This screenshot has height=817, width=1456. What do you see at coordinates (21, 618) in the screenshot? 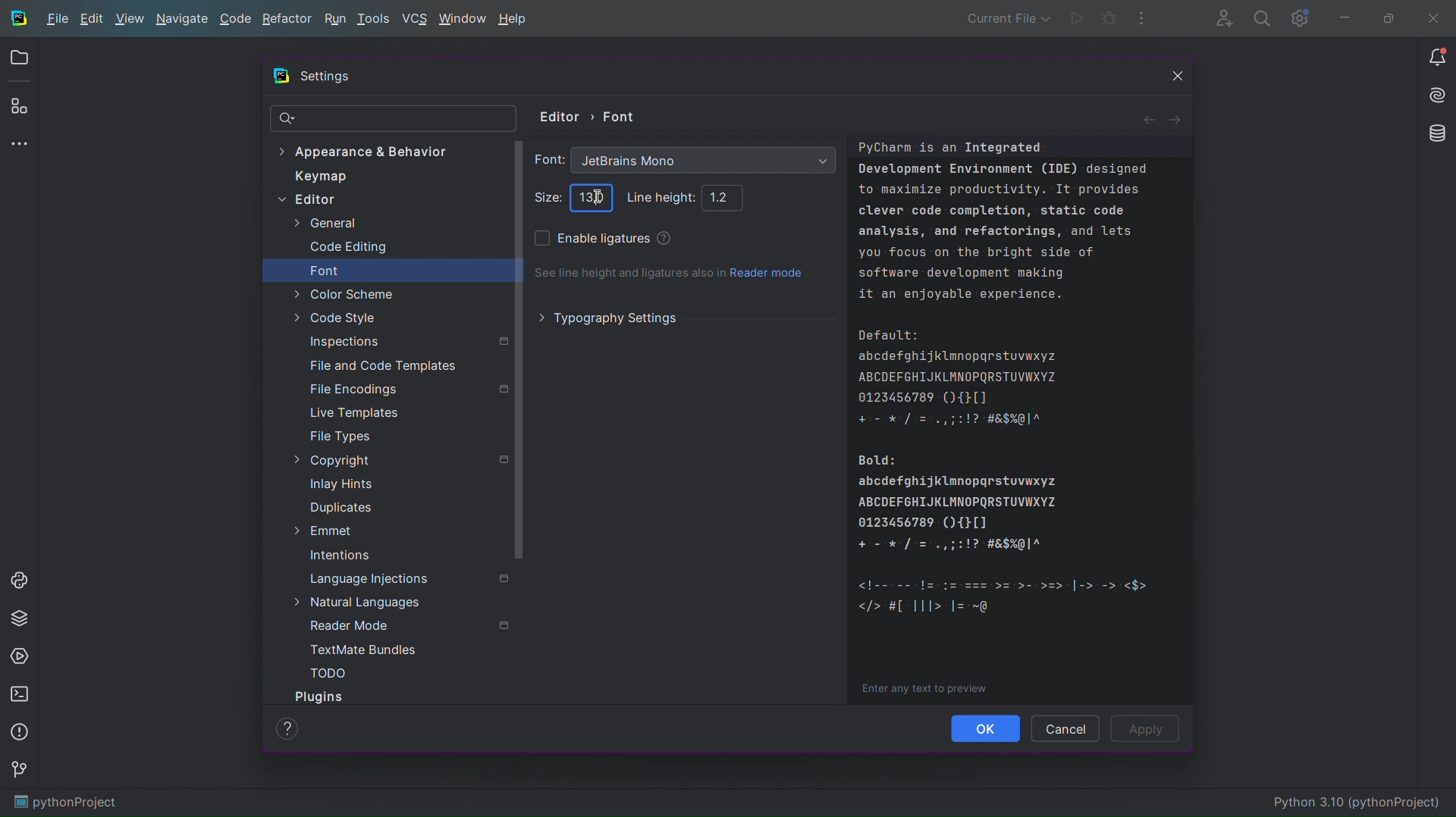
I see `Python Packages` at bounding box center [21, 618].